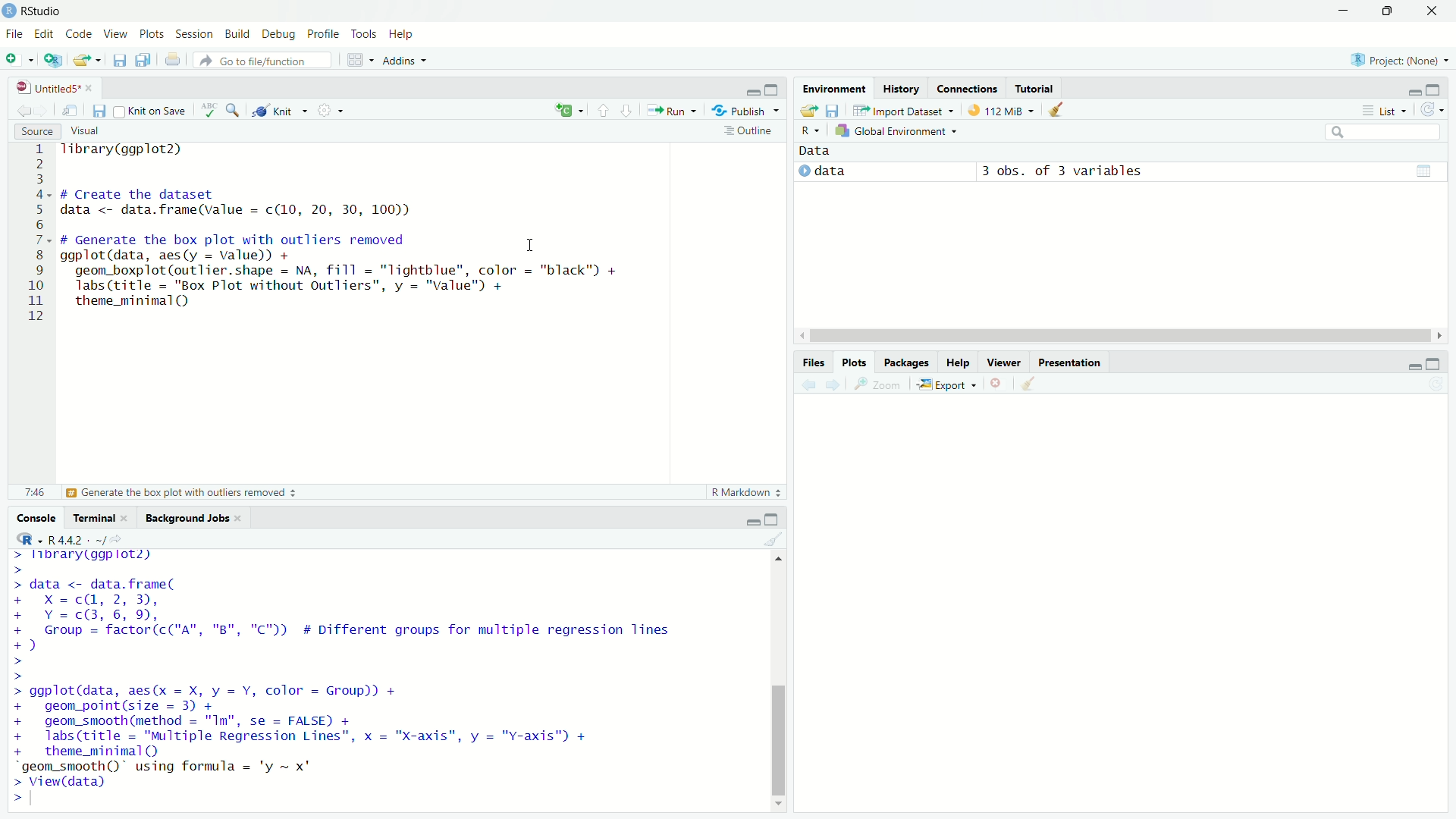 This screenshot has height=819, width=1456. Describe the element at coordinates (903, 86) in the screenshot. I see `History` at that location.